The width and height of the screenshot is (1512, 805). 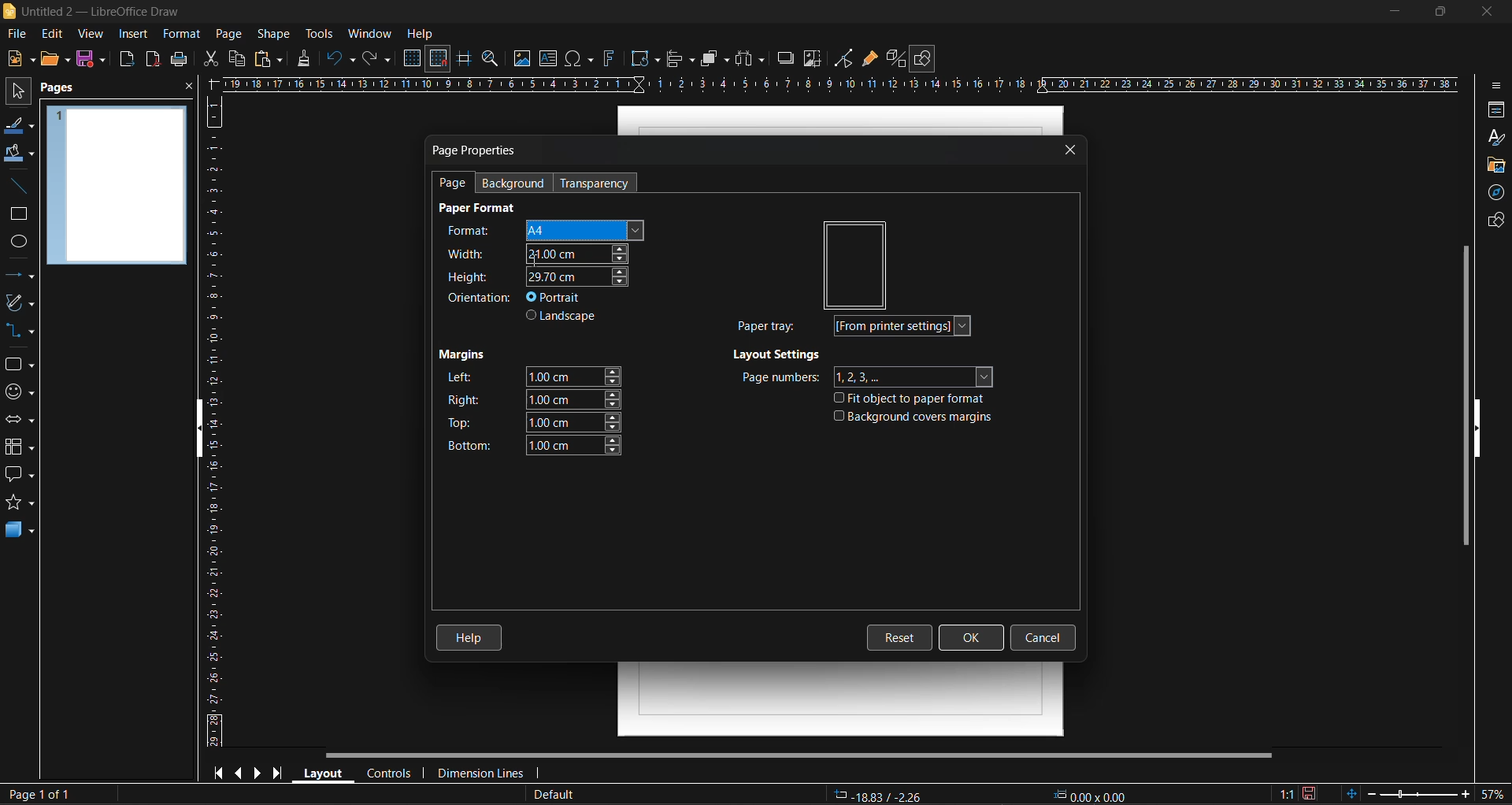 What do you see at coordinates (20, 94) in the screenshot?
I see `select` at bounding box center [20, 94].